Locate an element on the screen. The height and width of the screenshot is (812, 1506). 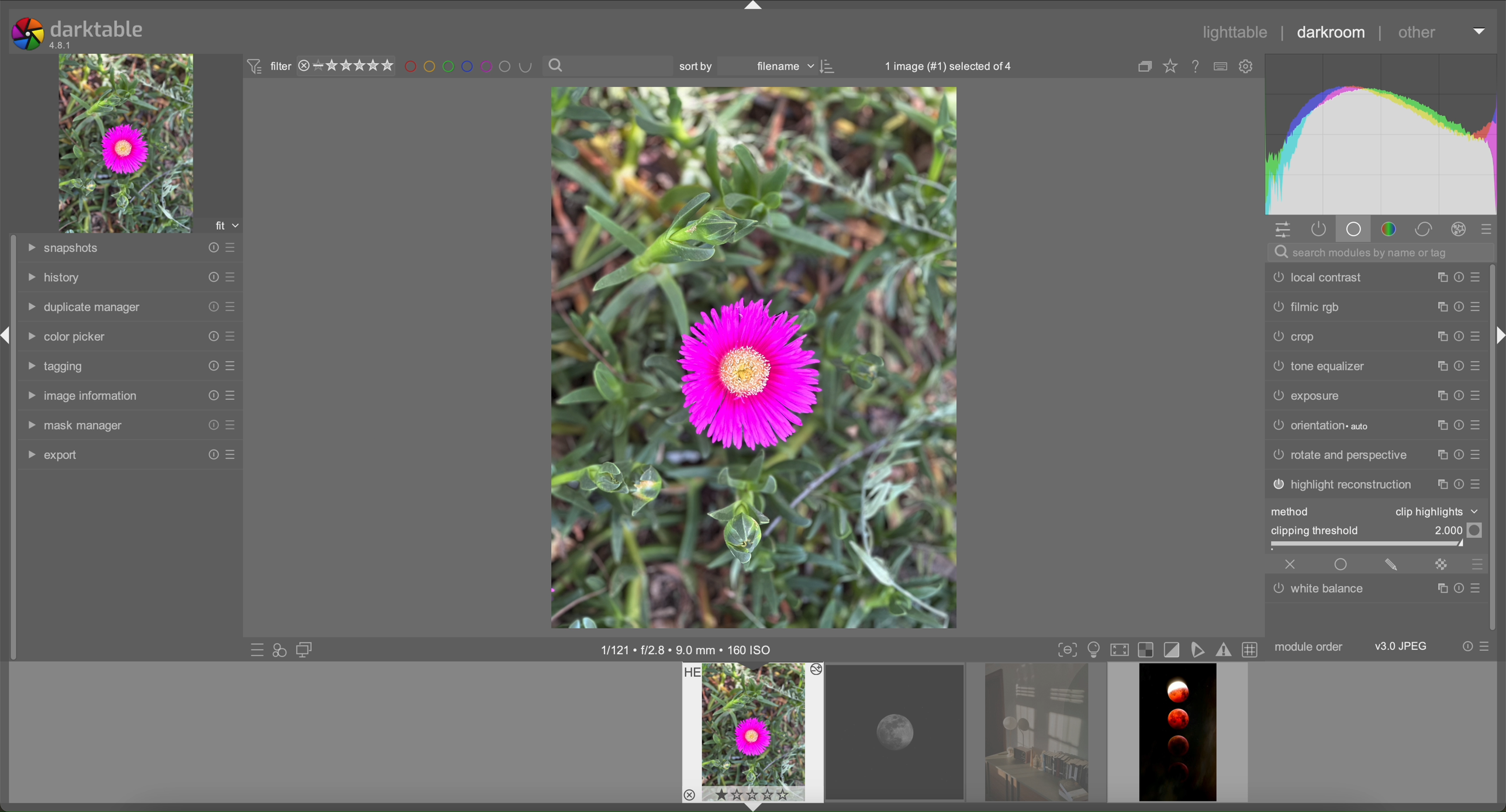
search bar is located at coordinates (1383, 253).